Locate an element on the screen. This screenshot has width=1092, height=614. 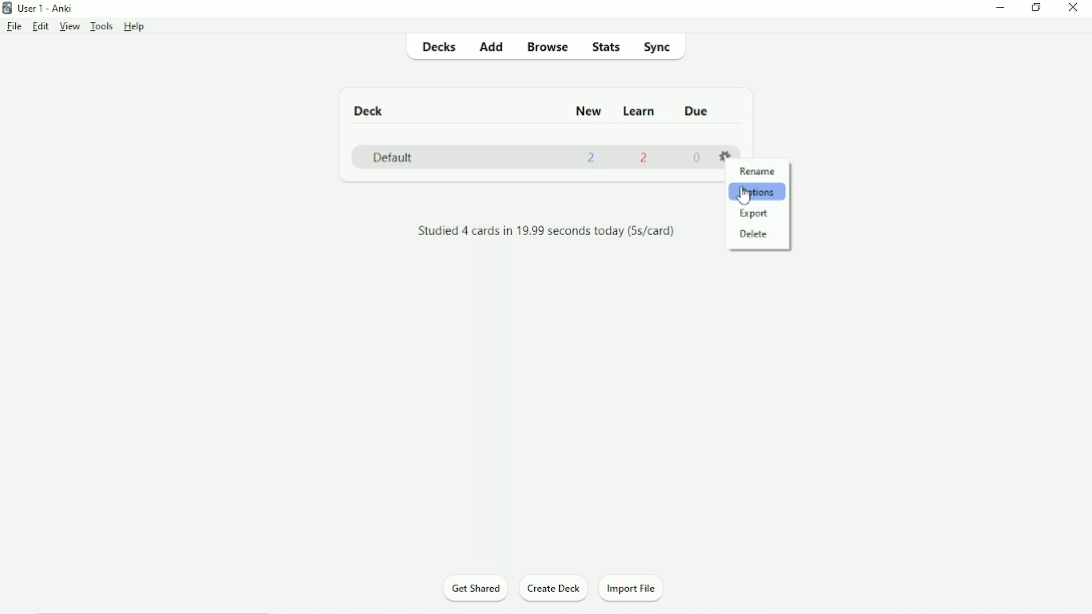
cursor is located at coordinates (744, 196).